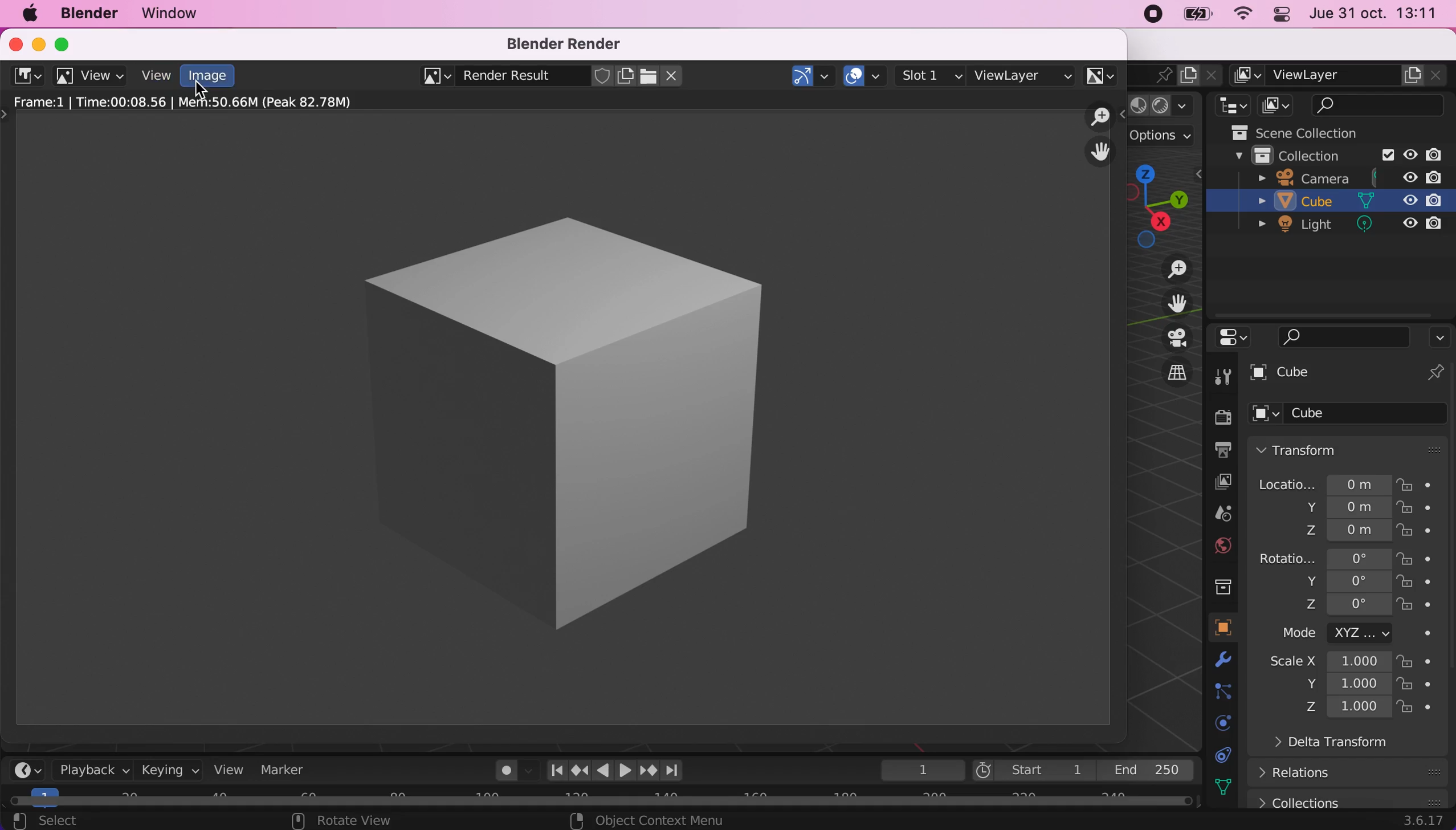  I want to click on render, so click(1222, 418).